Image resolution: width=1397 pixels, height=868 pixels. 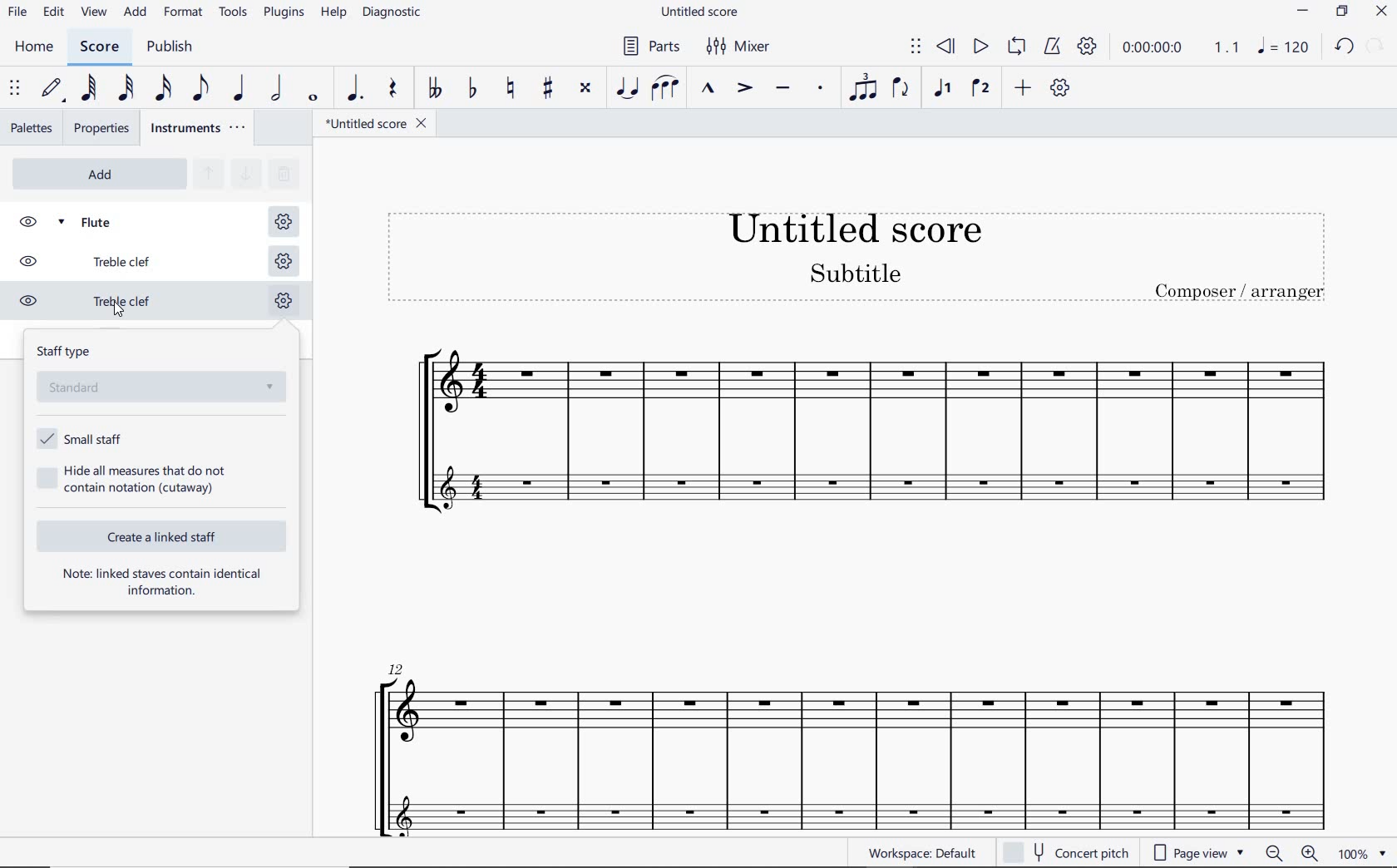 What do you see at coordinates (1197, 851) in the screenshot?
I see `page view` at bounding box center [1197, 851].